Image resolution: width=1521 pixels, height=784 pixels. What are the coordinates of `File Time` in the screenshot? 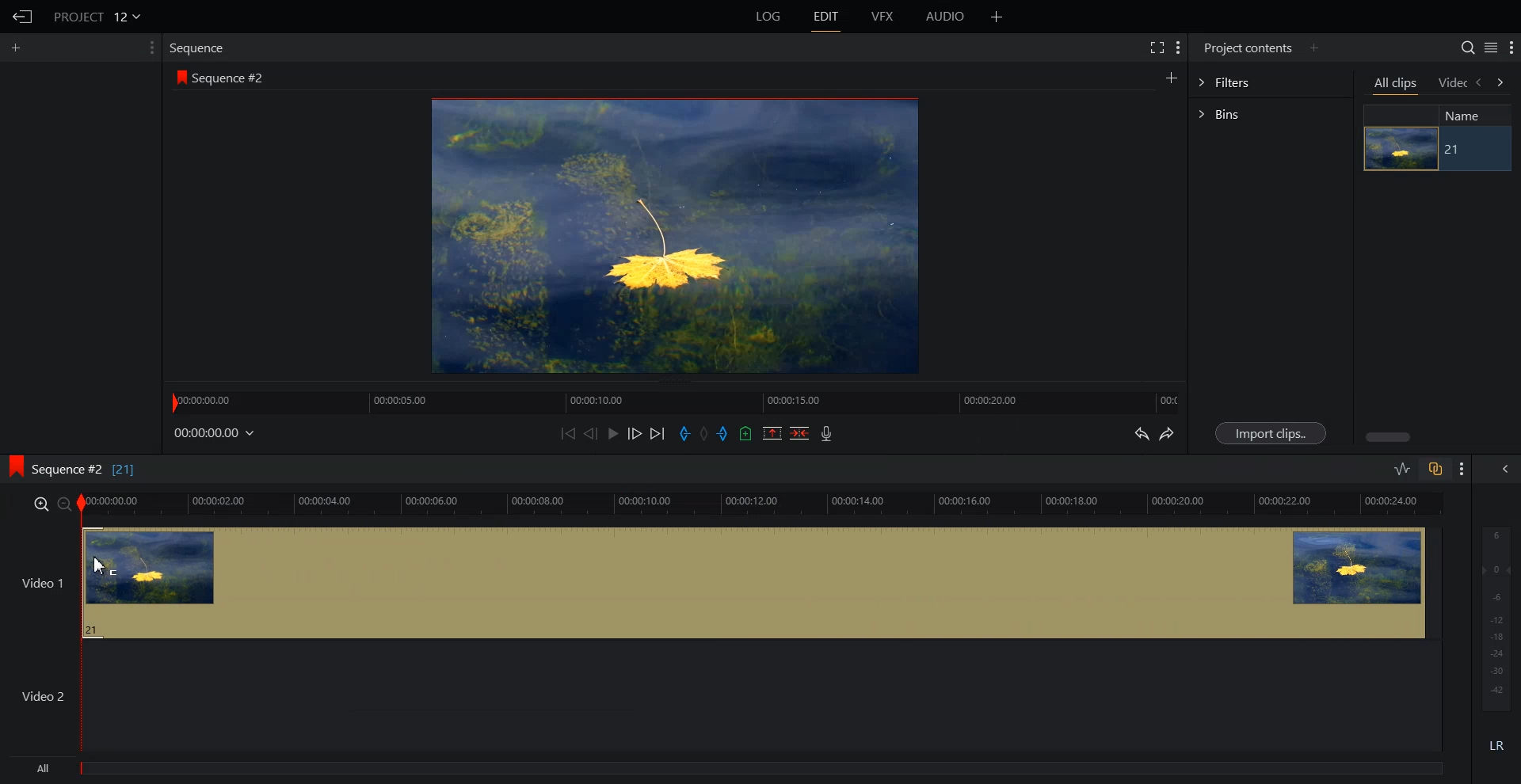 It's located at (215, 433).